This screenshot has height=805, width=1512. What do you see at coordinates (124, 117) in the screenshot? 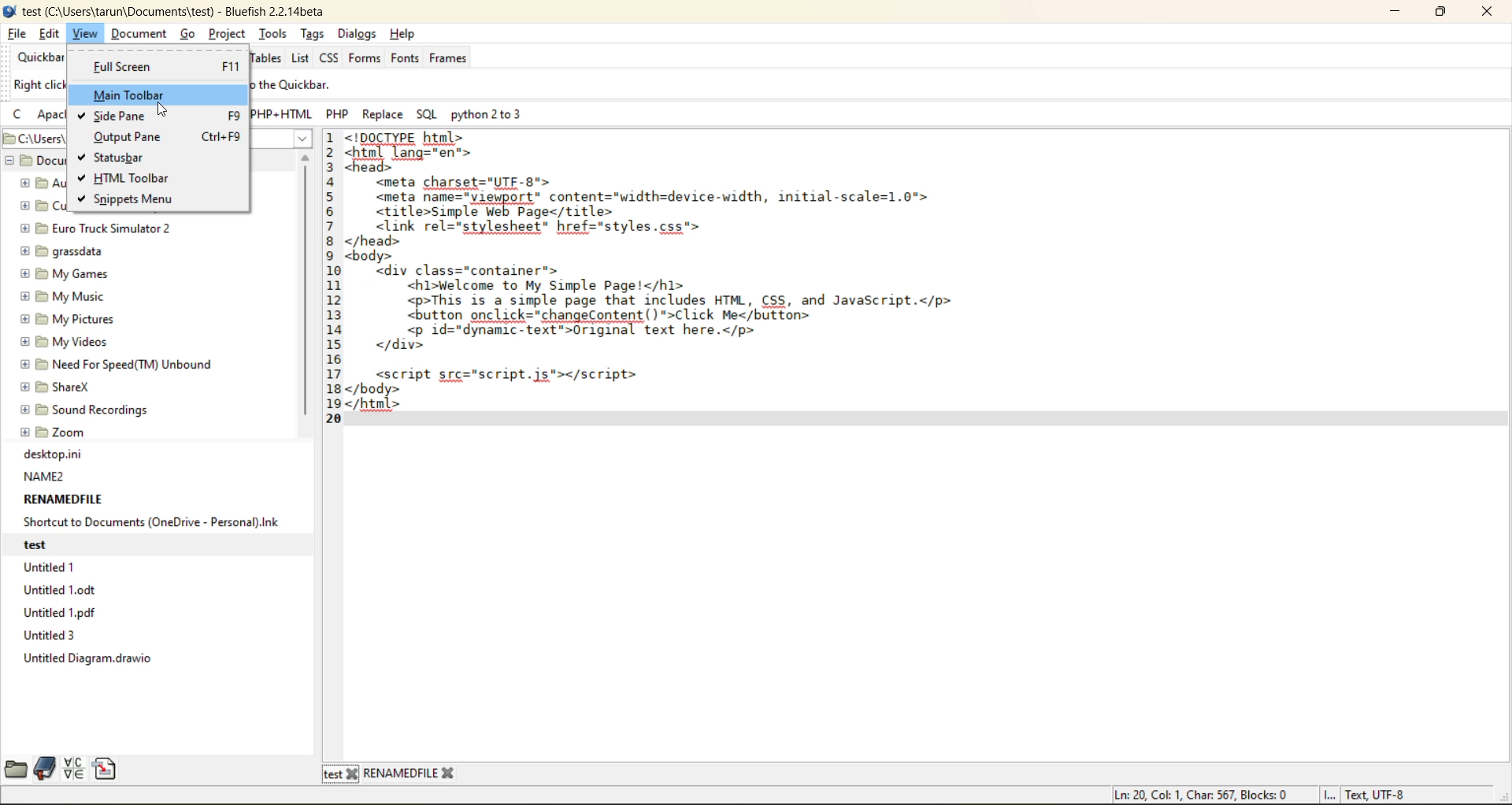
I see `sidepane` at bounding box center [124, 117].